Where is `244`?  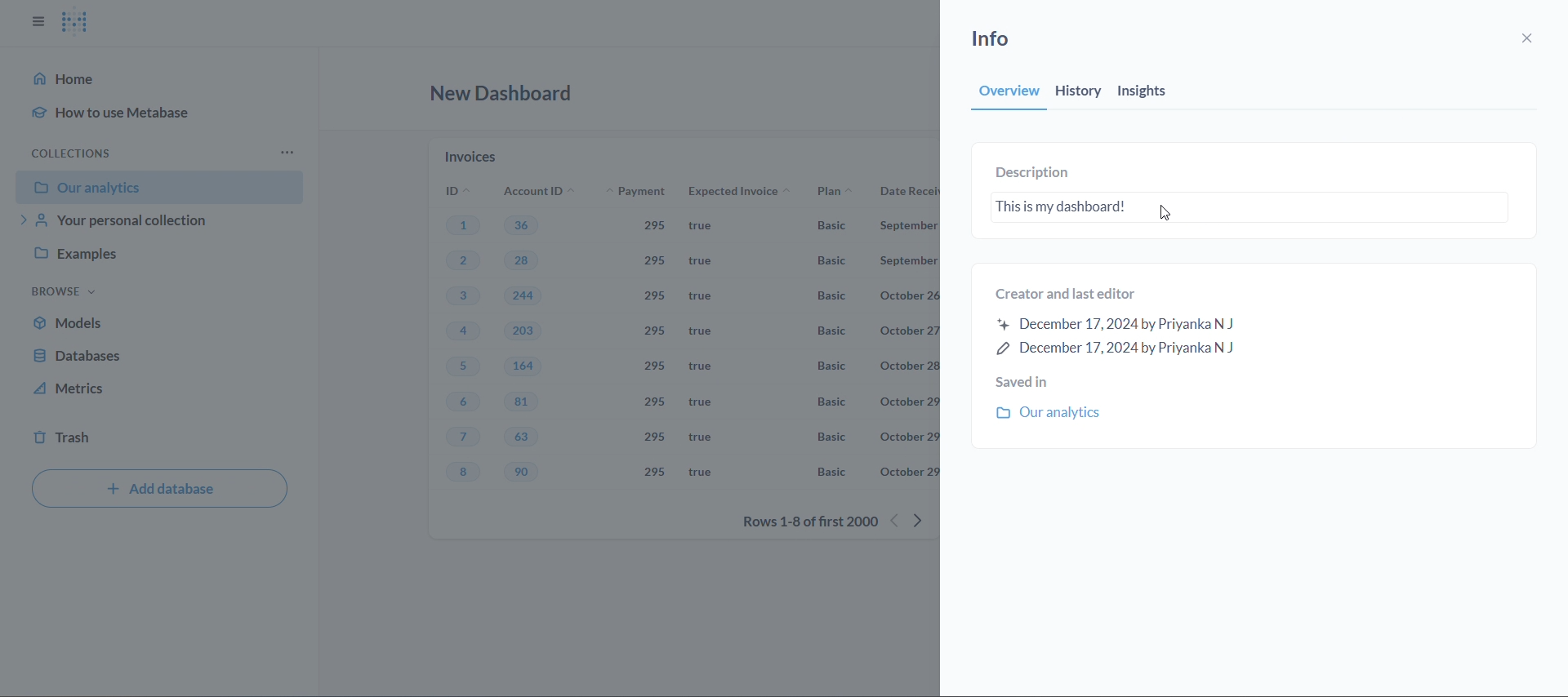
244 is located at coordinates (523, 296).